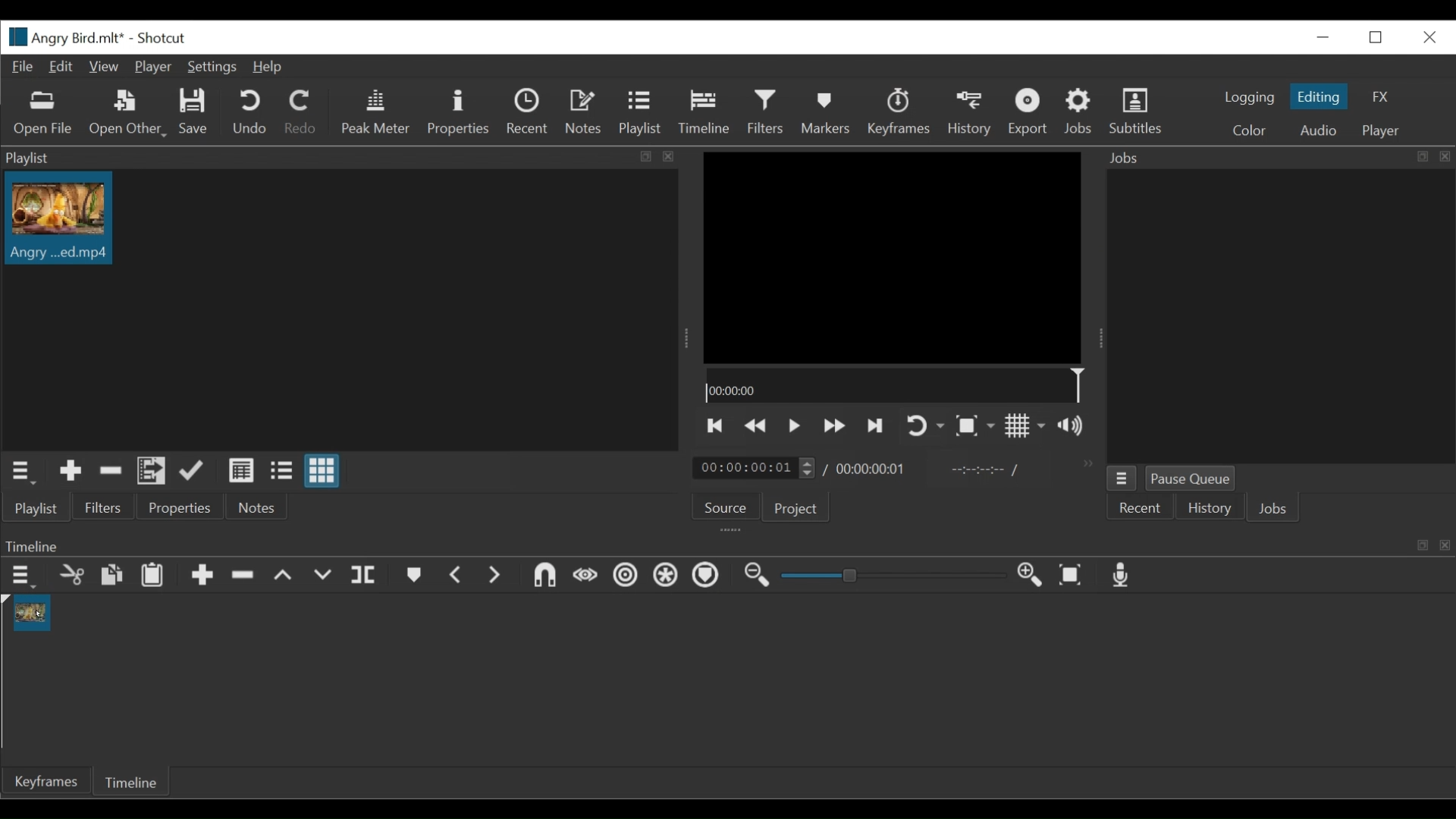 This screenshot has width=1456, height=819. I want to click on Ripple all tracks, so click(667, 576).